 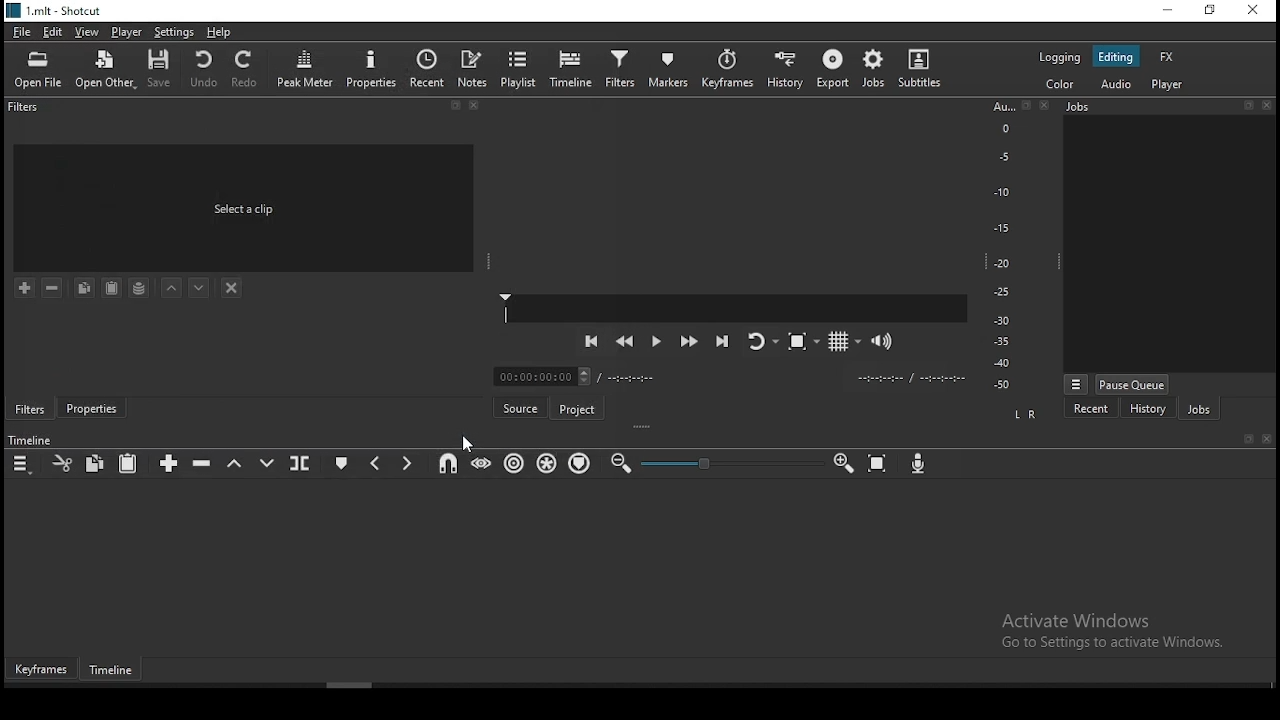 What do you see at coordinates (233, 287) in the screenshot?
I see `deselect the filter` at bounding box center [233, 287].